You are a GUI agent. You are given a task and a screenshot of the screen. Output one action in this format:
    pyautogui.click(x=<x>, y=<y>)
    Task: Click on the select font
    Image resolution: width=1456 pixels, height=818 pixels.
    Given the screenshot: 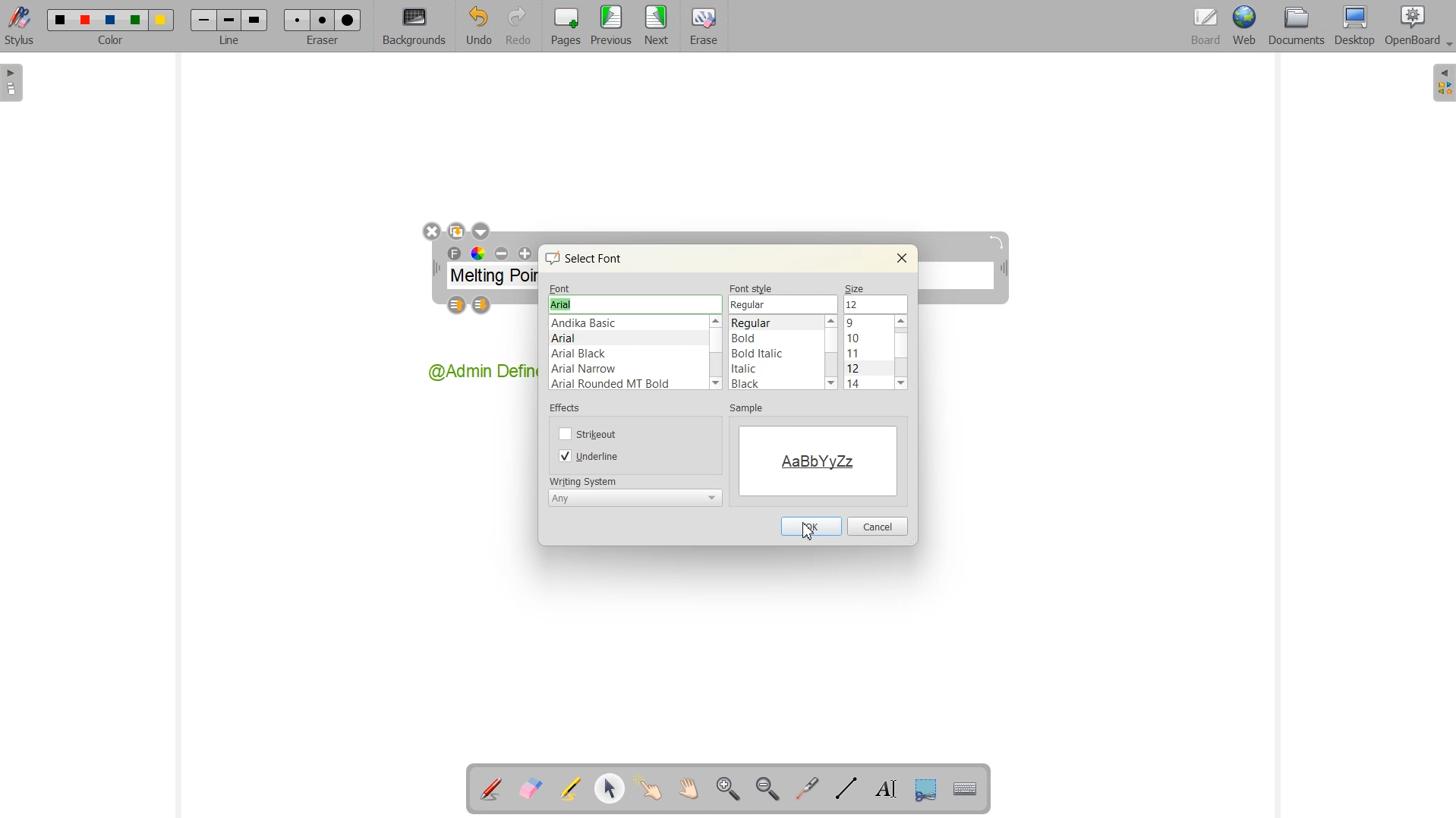 What is the action you would take?
    pyautogui.click(x=591, y=258)
    